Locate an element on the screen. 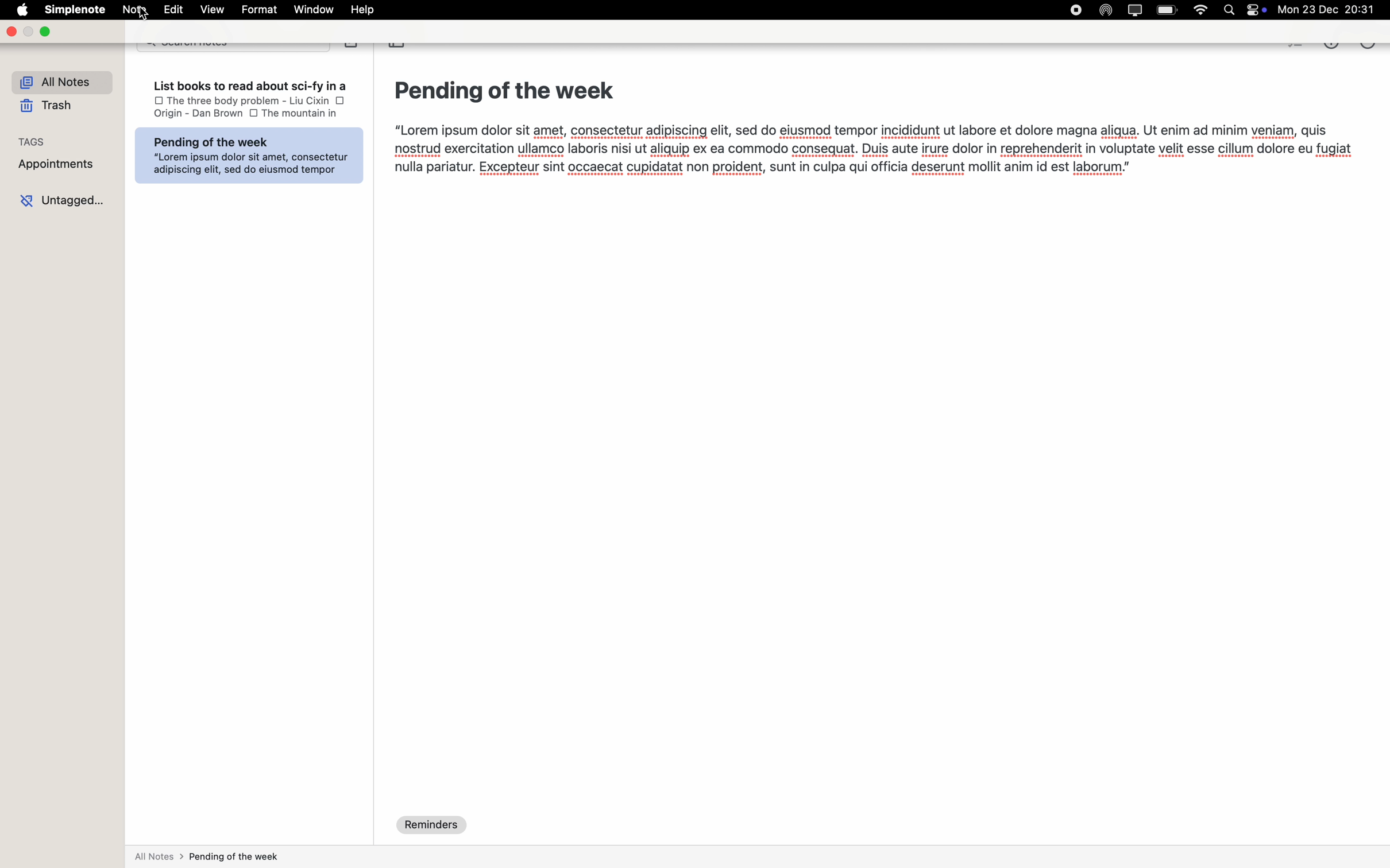  List books to read about sci-fv in a is located at coordinates (249, 83).